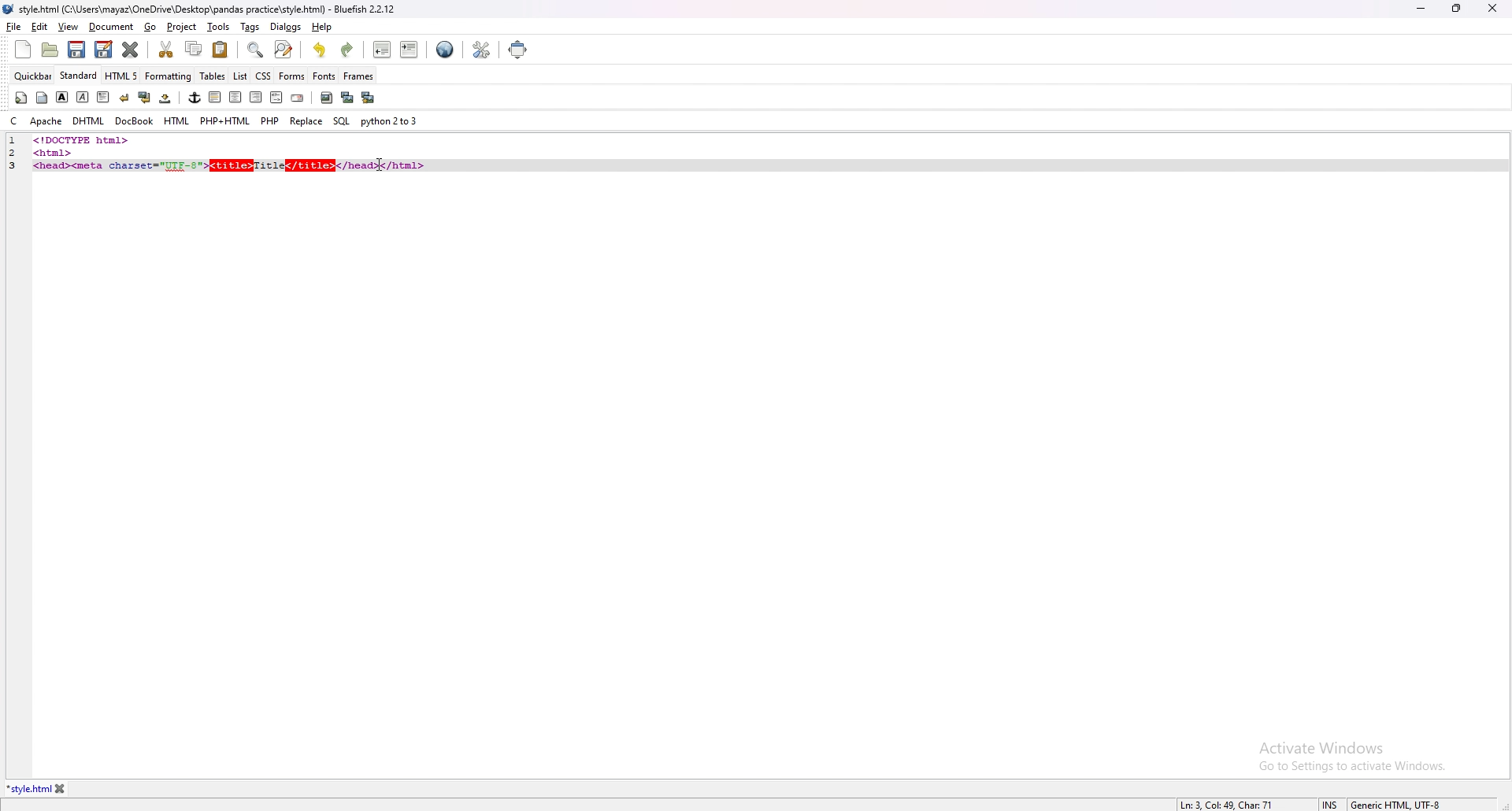 The width and height of the screenshot is (1512, 811). Describe the element at coordinates (112, 28) in the screenshot. I see `document` at that location.